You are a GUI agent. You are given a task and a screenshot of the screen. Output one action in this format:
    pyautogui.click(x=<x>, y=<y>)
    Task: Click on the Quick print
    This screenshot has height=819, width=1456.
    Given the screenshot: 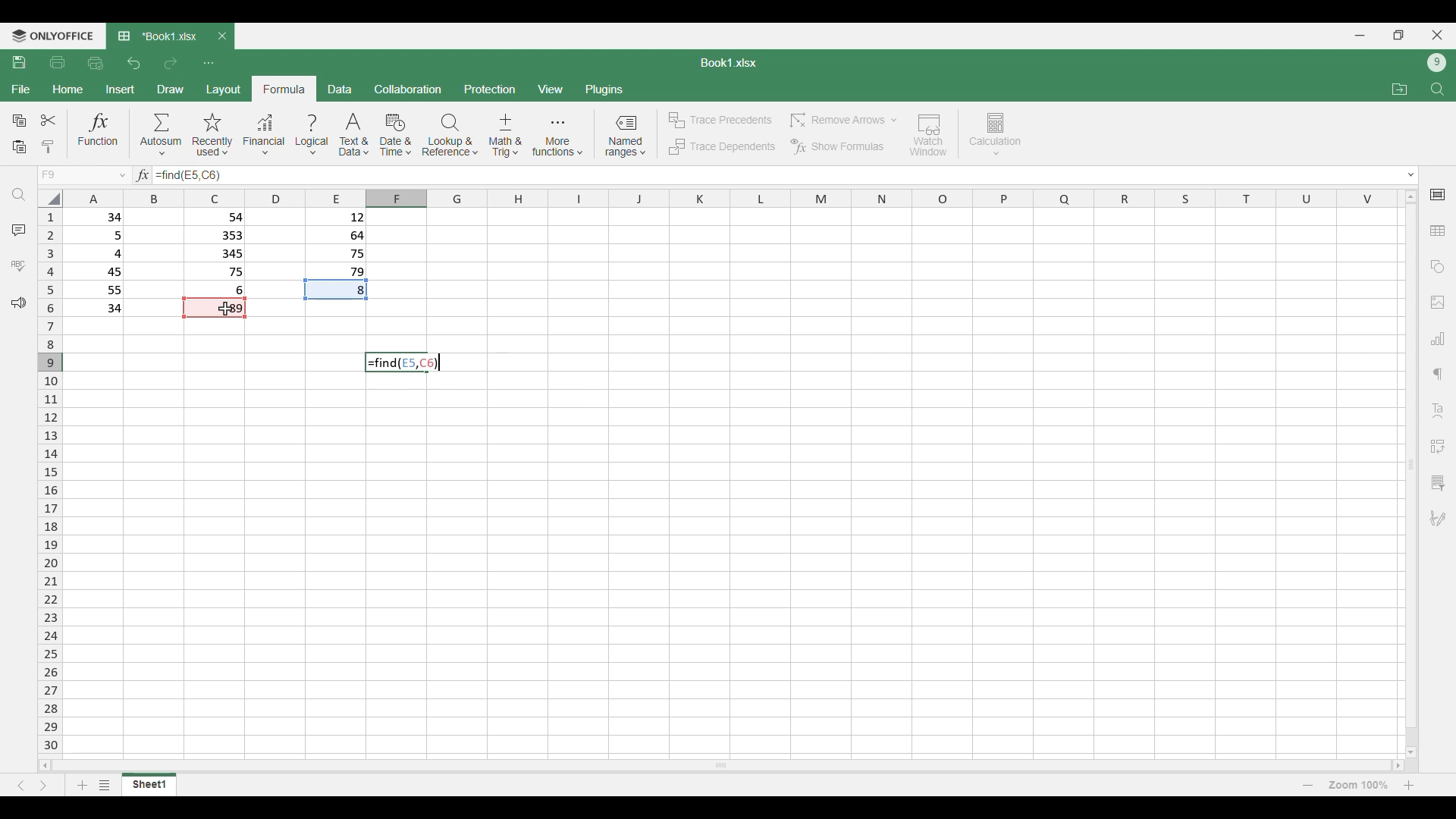 What is the action you would take?
    pyautogui.click(x=96, y=64)
    